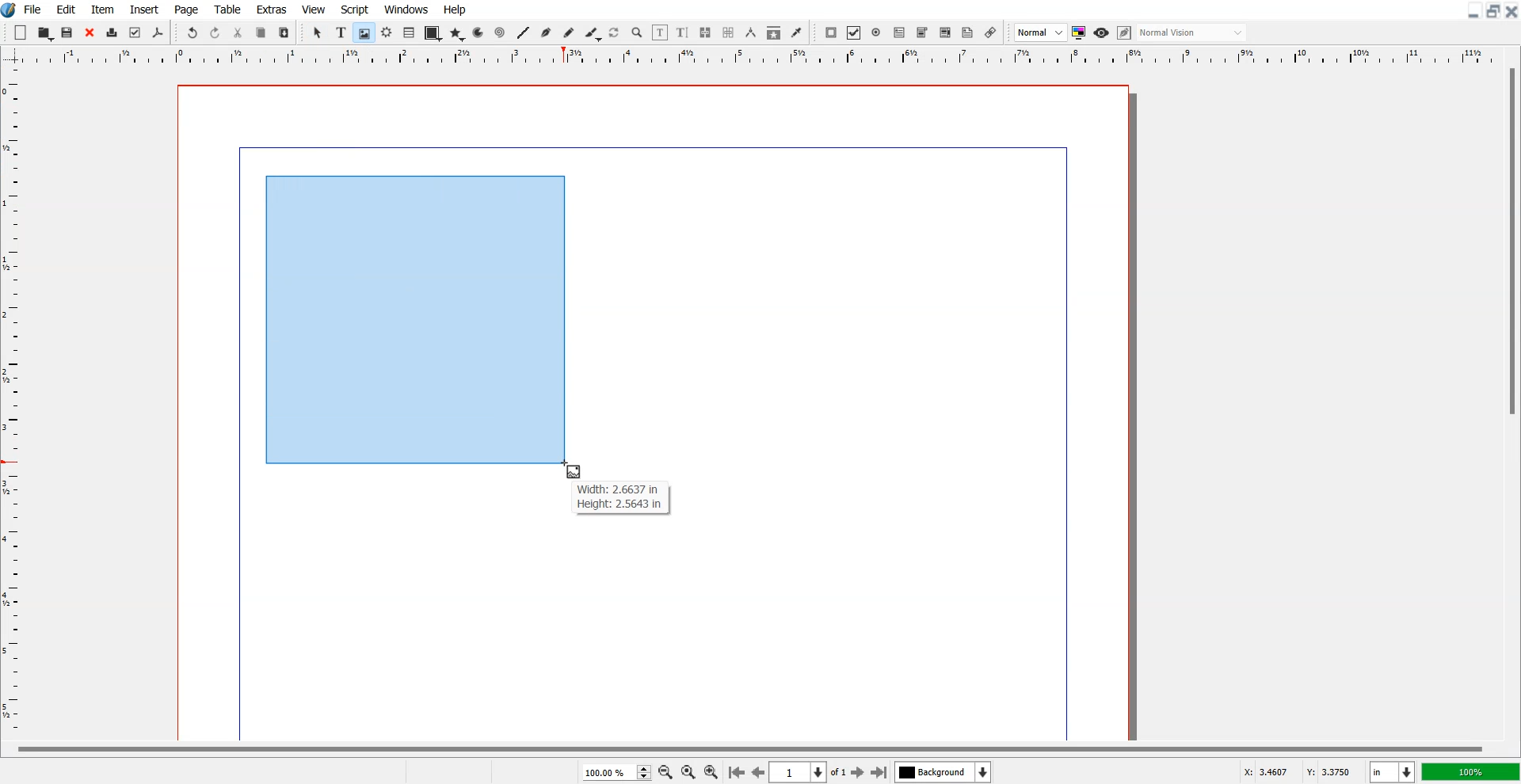  I want to click on Undo, so click(193, 32).